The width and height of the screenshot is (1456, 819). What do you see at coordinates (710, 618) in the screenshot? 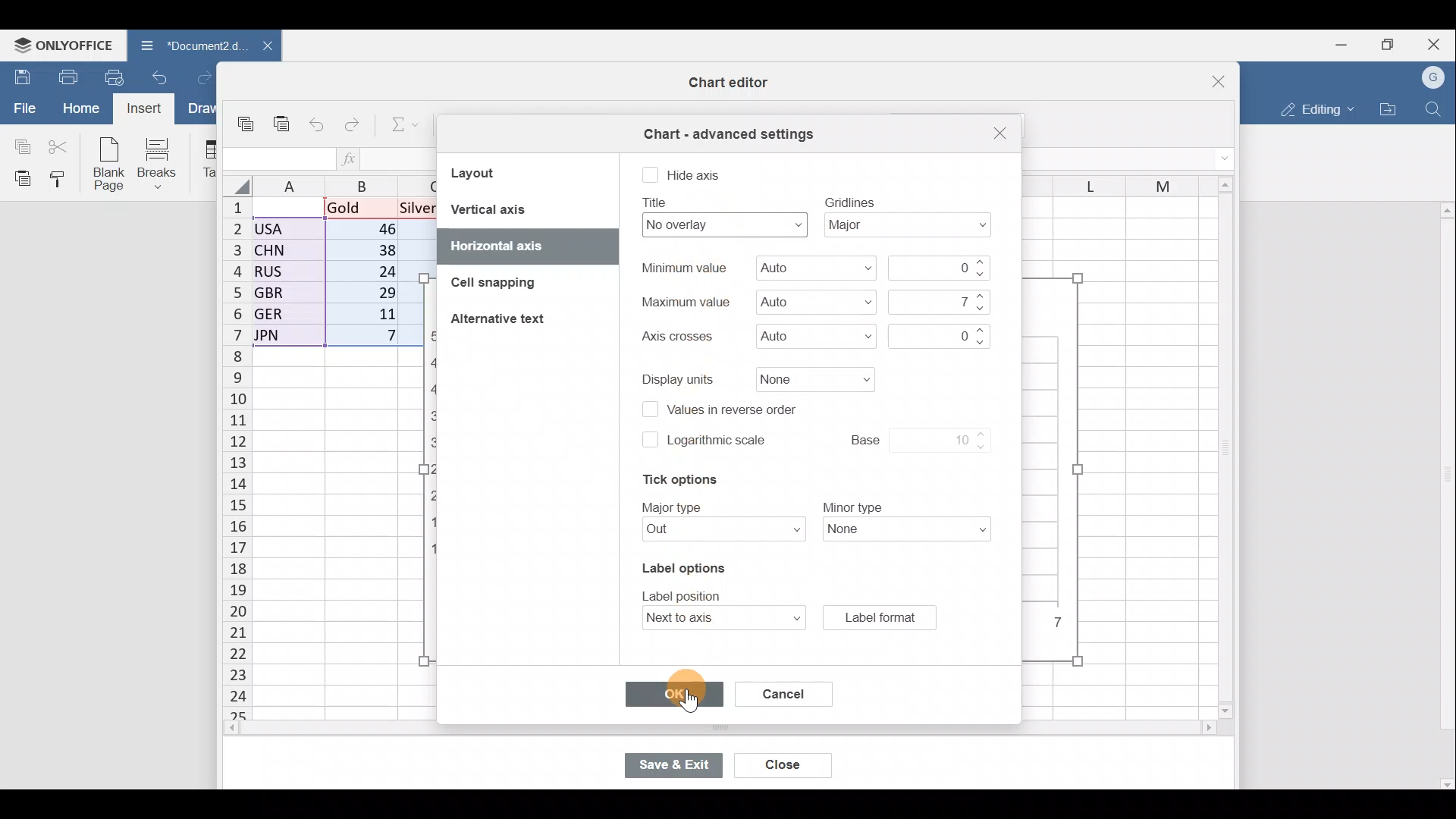
I see `Label position` at bounding box center [710, 618].